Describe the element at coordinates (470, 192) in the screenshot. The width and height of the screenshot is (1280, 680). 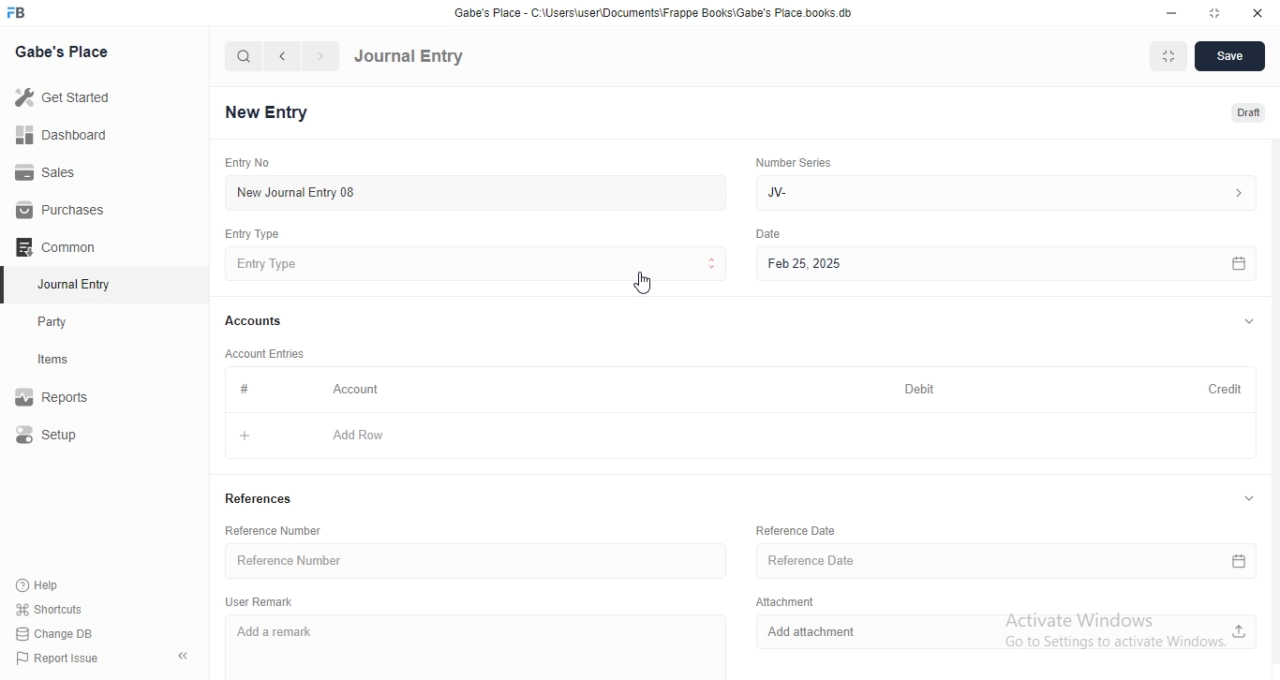
I see `New Journal Entry 08` at that location.